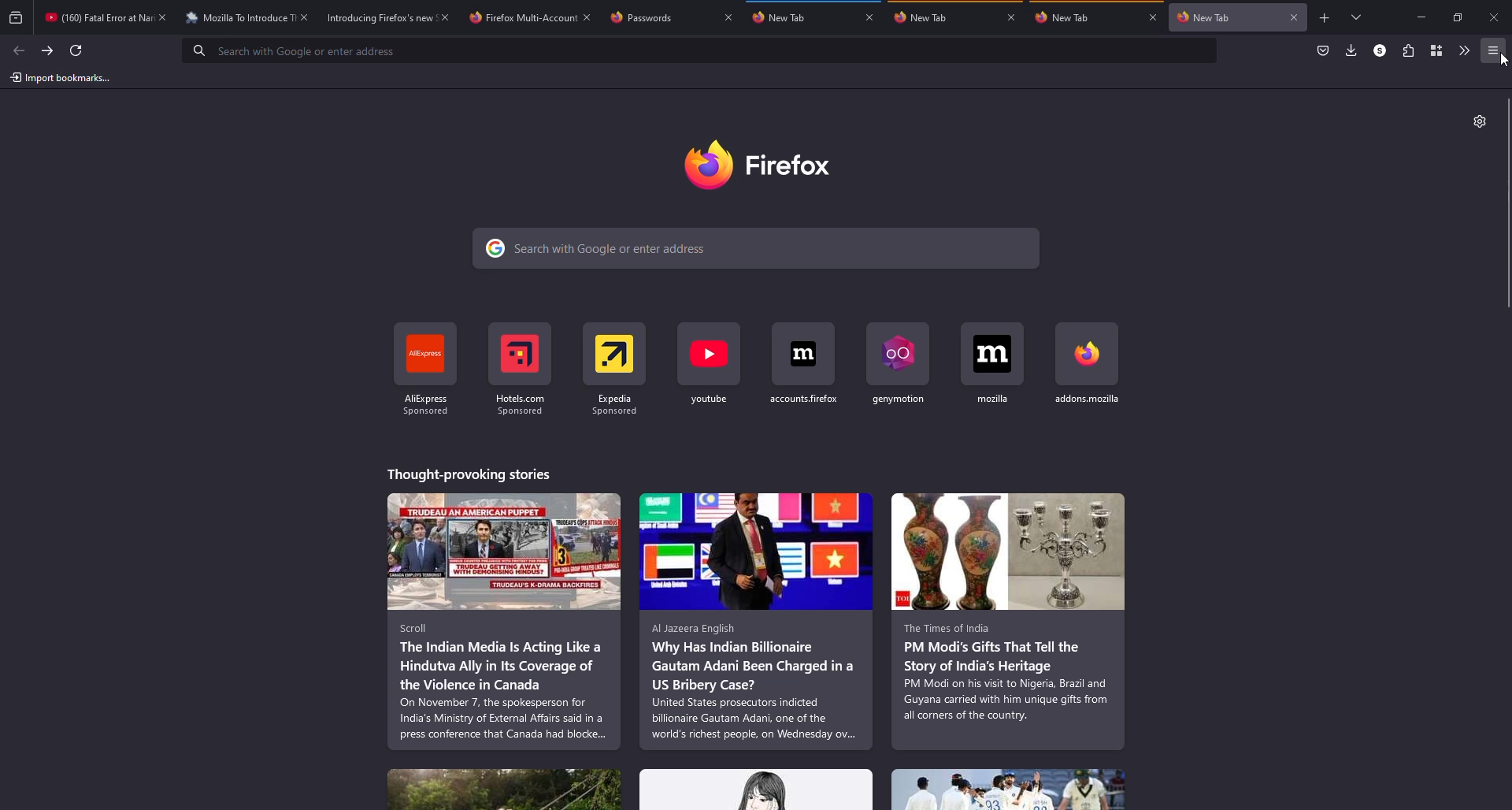 This screenshot has width=1512, height=810. What do you see at coordinates (96, 17) in the screenshot?
I see `tab` at bounding box center [96, 17].